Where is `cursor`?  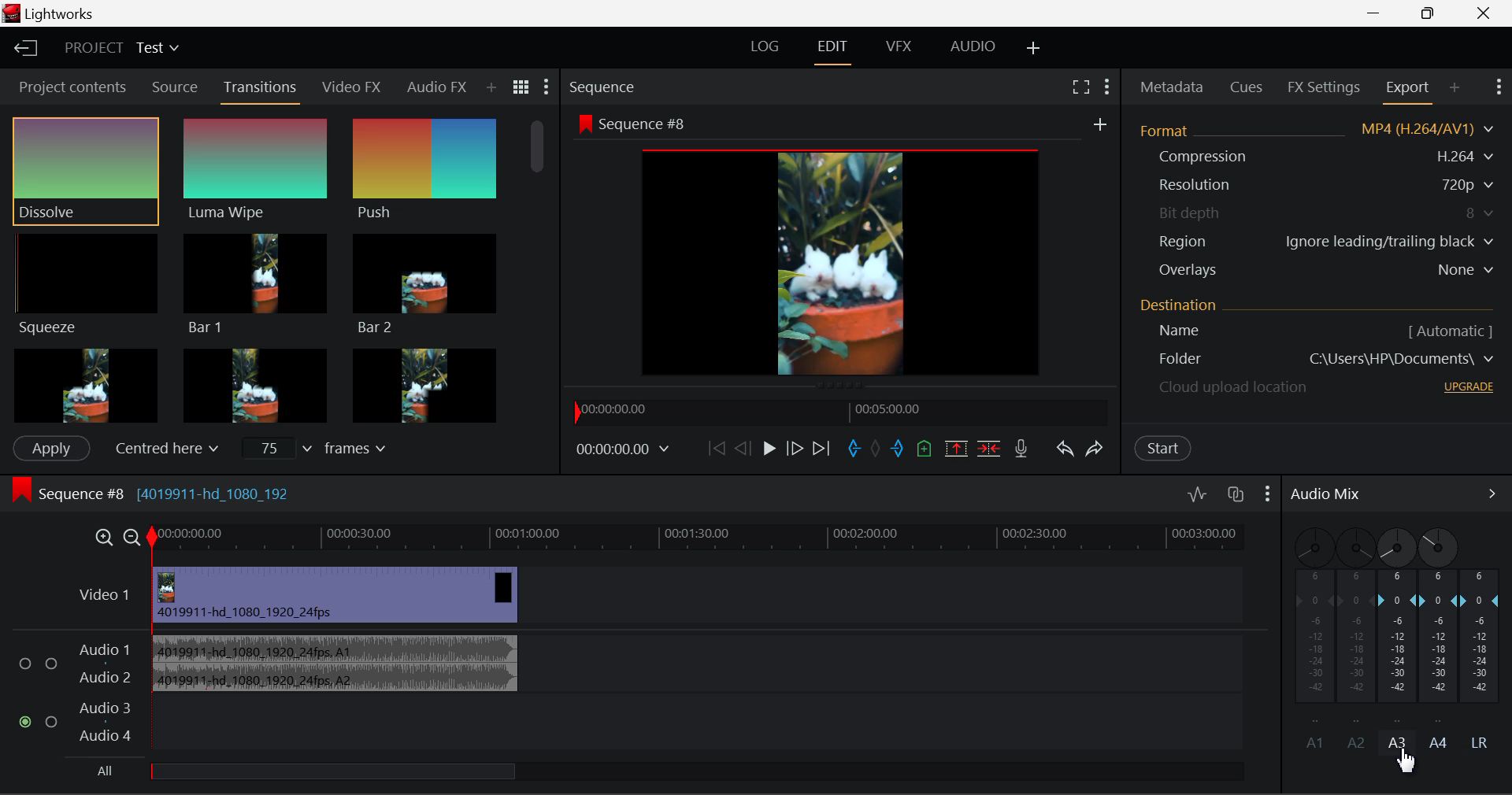
cursor is located at coordinates (1410, 760).